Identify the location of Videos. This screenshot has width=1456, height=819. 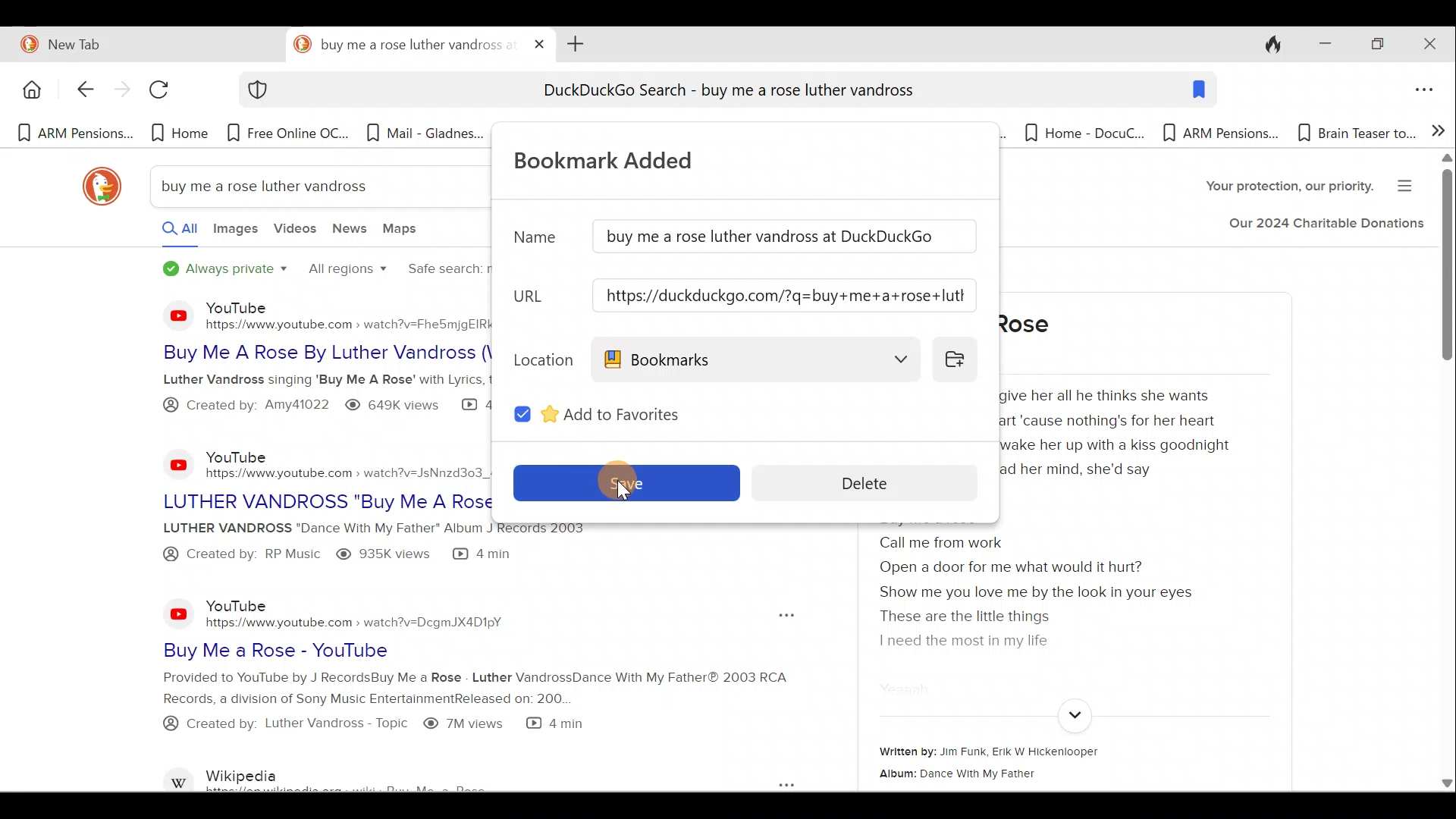
(295, 234).